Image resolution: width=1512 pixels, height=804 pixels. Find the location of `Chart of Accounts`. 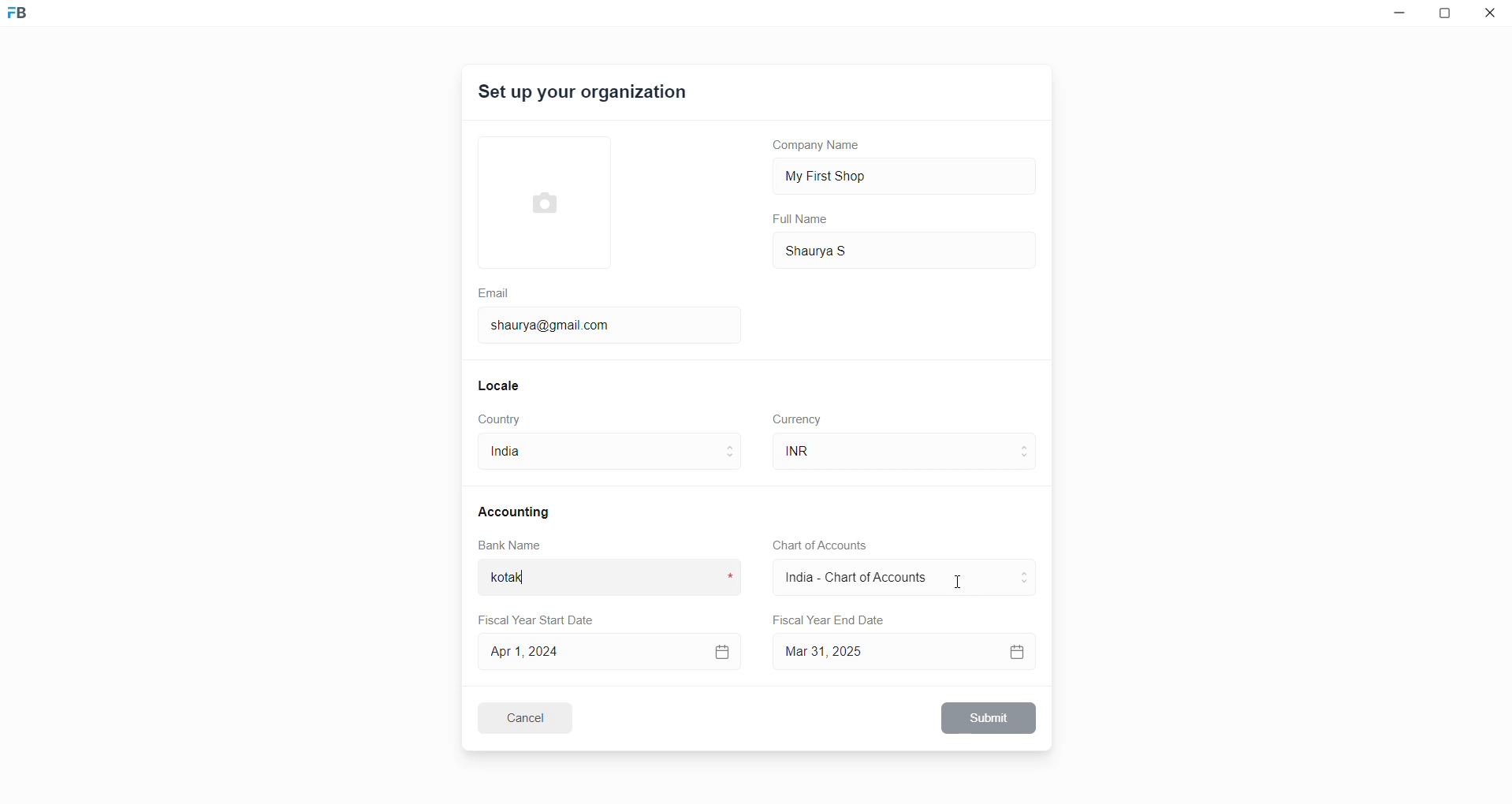

Chart of Accounts is located at coordinates (815, 545).